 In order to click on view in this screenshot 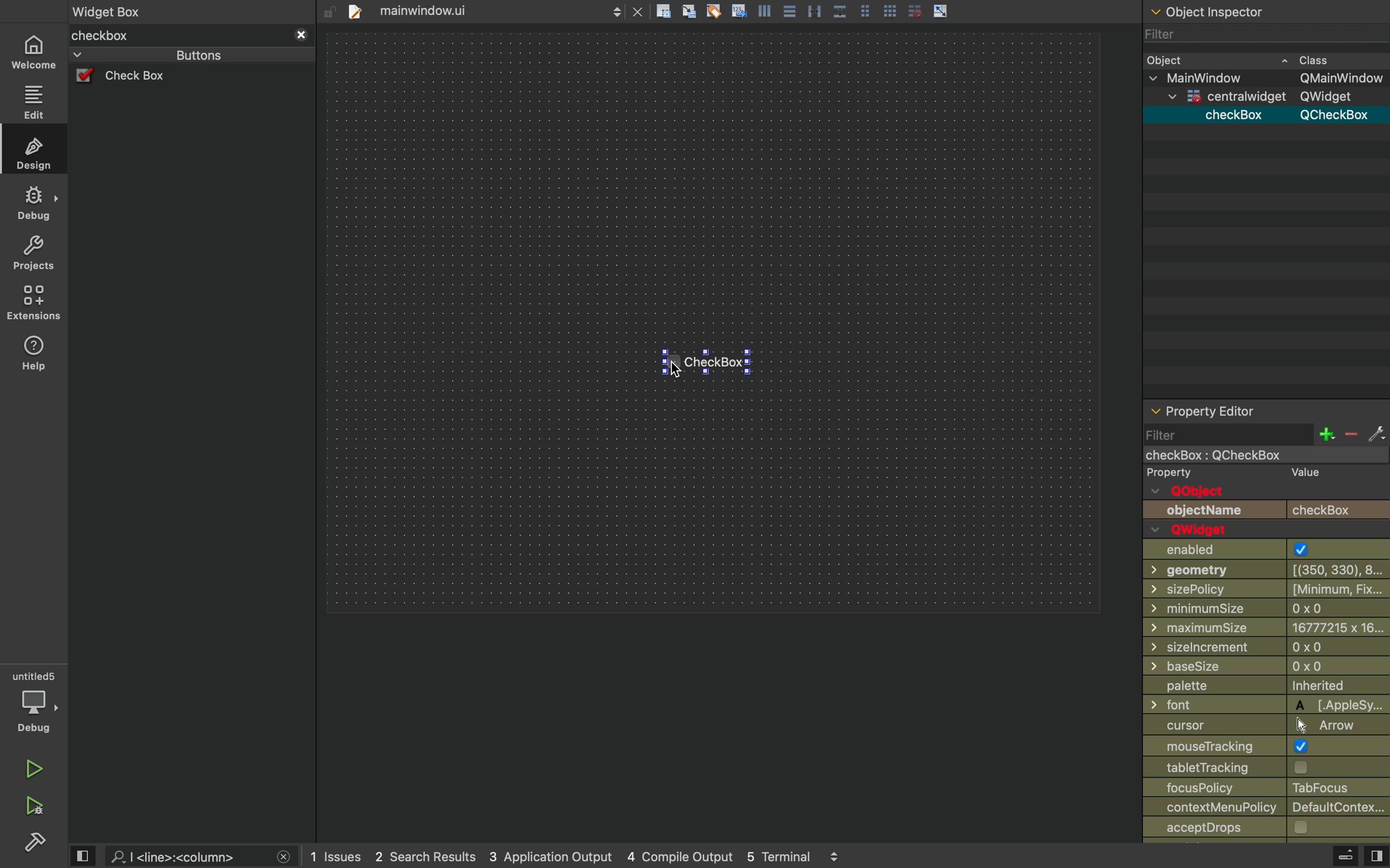, I will do `click(84, 855)`.